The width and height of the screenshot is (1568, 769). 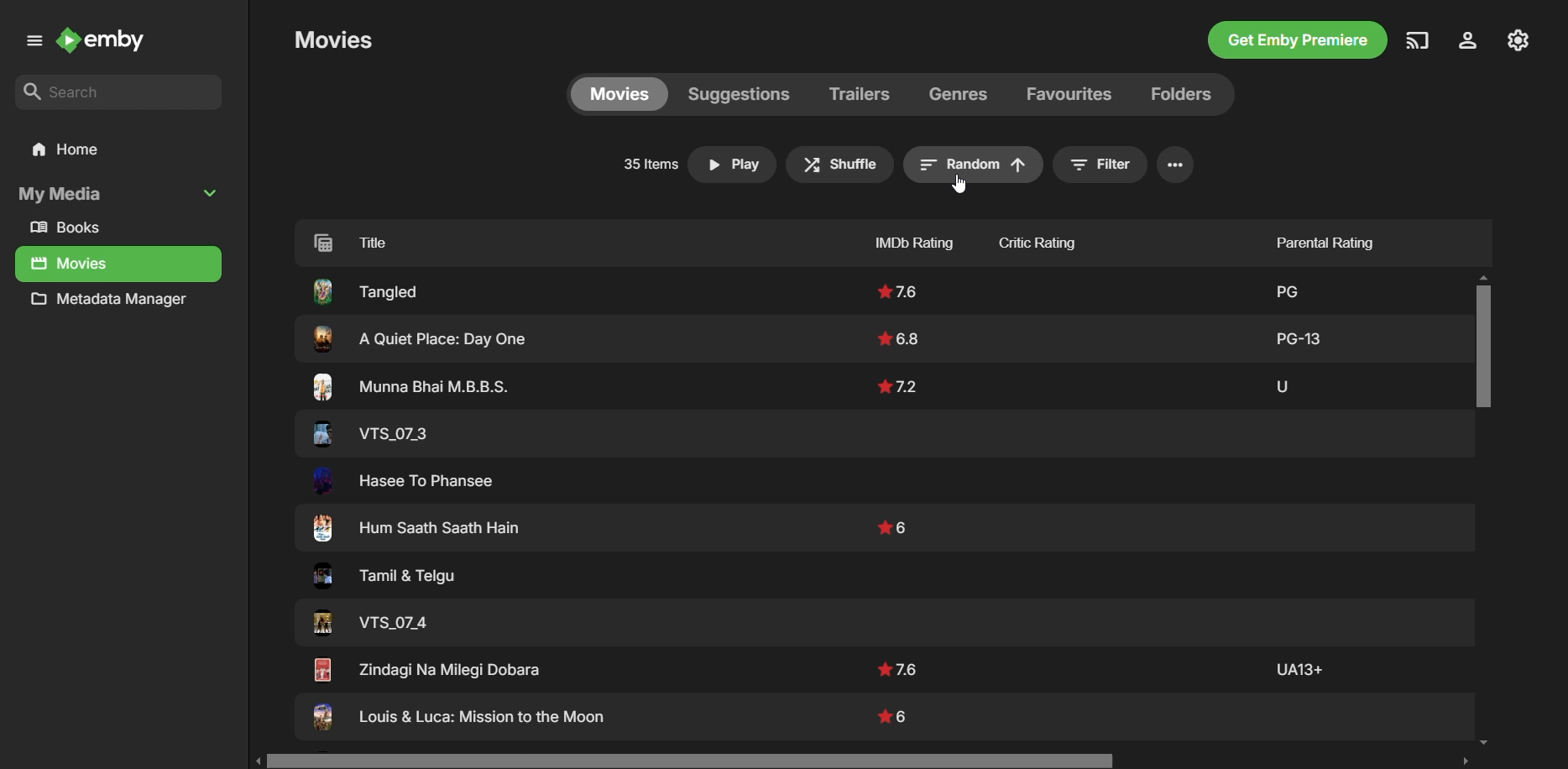 What do you see at coordinates (1520, 39) in the screenshot?
I see `Manage Emby Server` at bounding box center [1520, 39].